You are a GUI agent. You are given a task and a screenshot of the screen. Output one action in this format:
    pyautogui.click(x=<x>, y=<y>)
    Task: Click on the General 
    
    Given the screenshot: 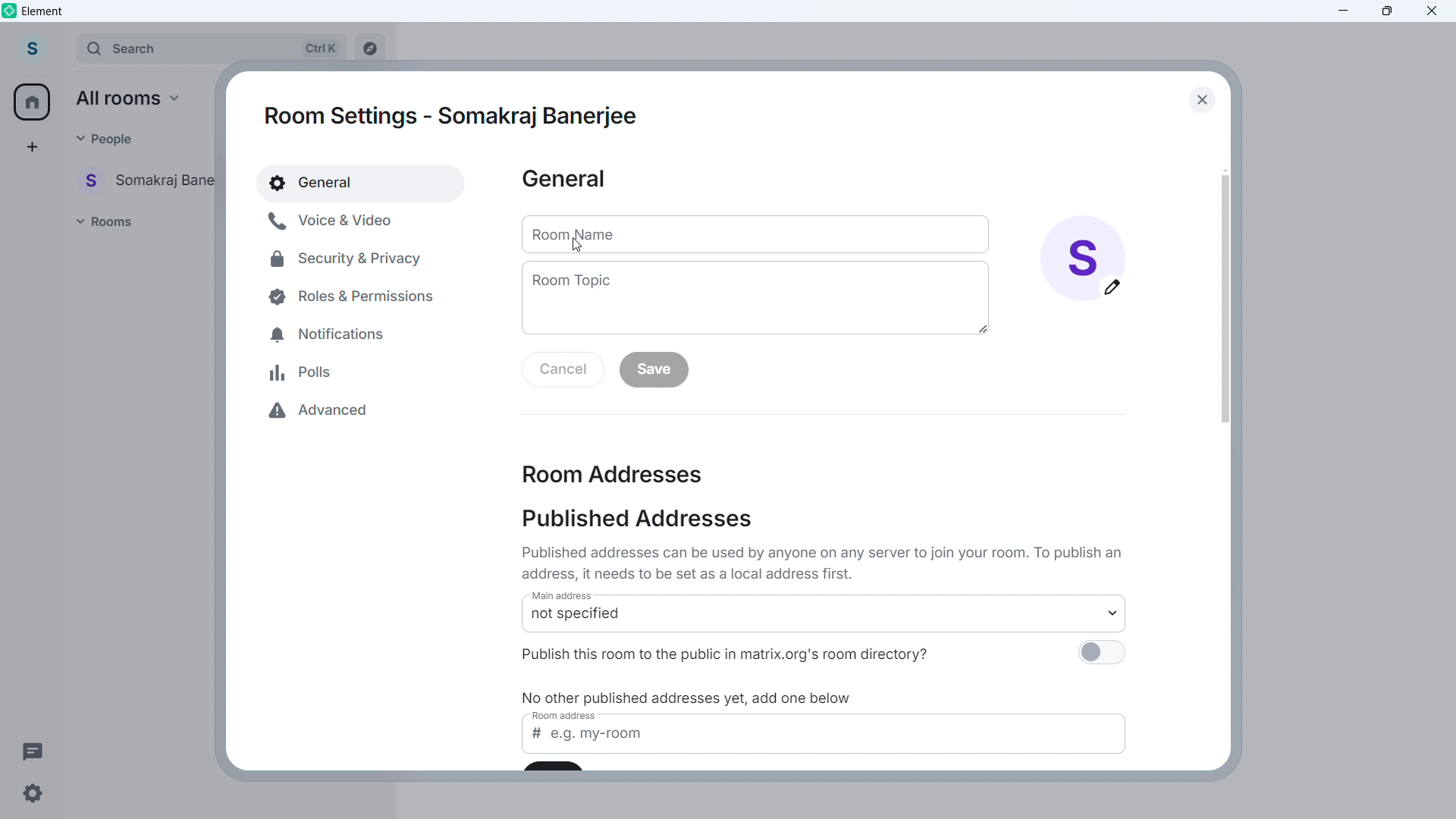 What is the action you would take?
    pyautogui.click(x=362, y=183)
    